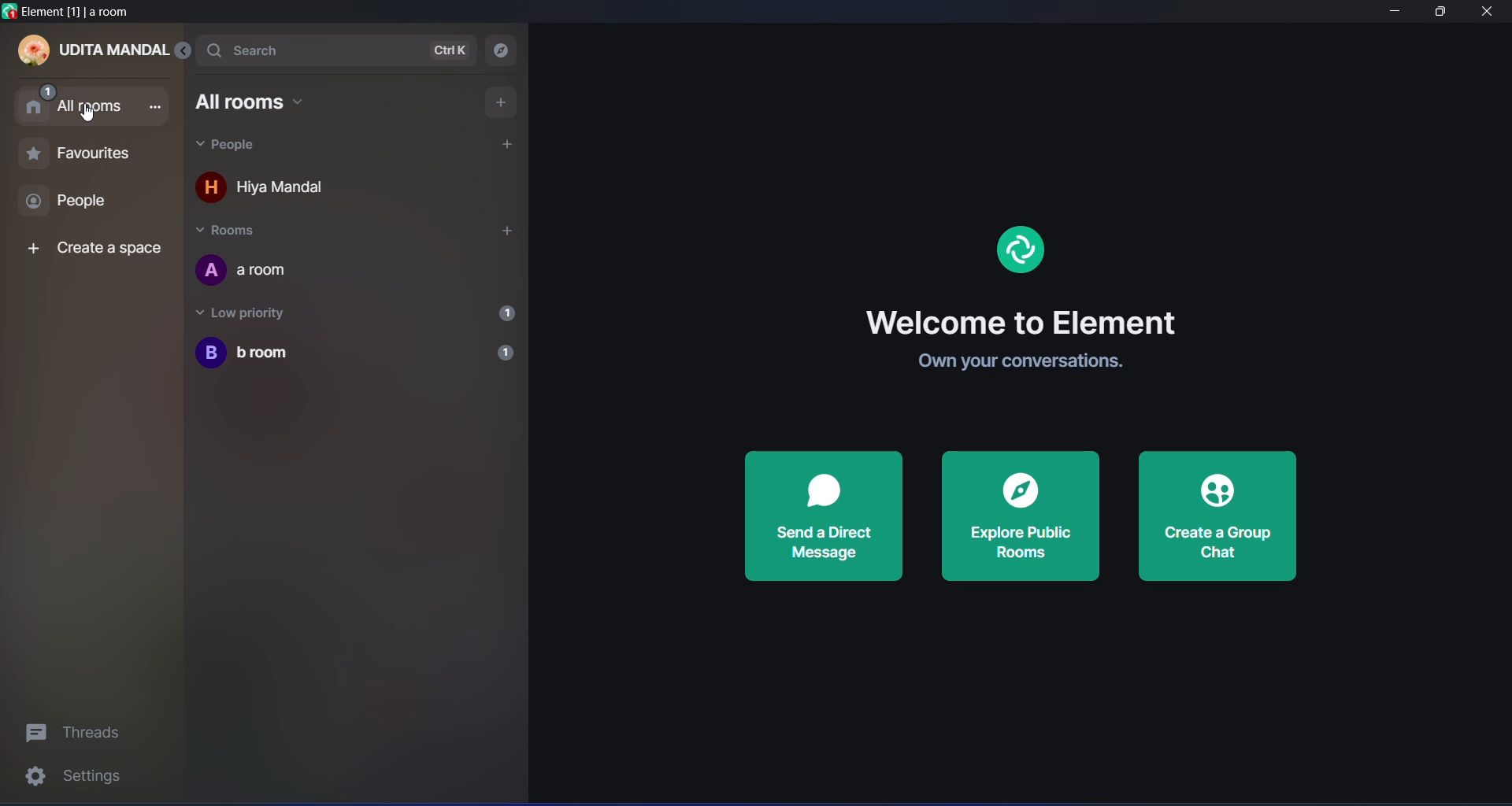  What do you see at coordinates (1217, 516) in the screenshot?
I see `Create a Group Chat` at bounding box center [1217, 516].